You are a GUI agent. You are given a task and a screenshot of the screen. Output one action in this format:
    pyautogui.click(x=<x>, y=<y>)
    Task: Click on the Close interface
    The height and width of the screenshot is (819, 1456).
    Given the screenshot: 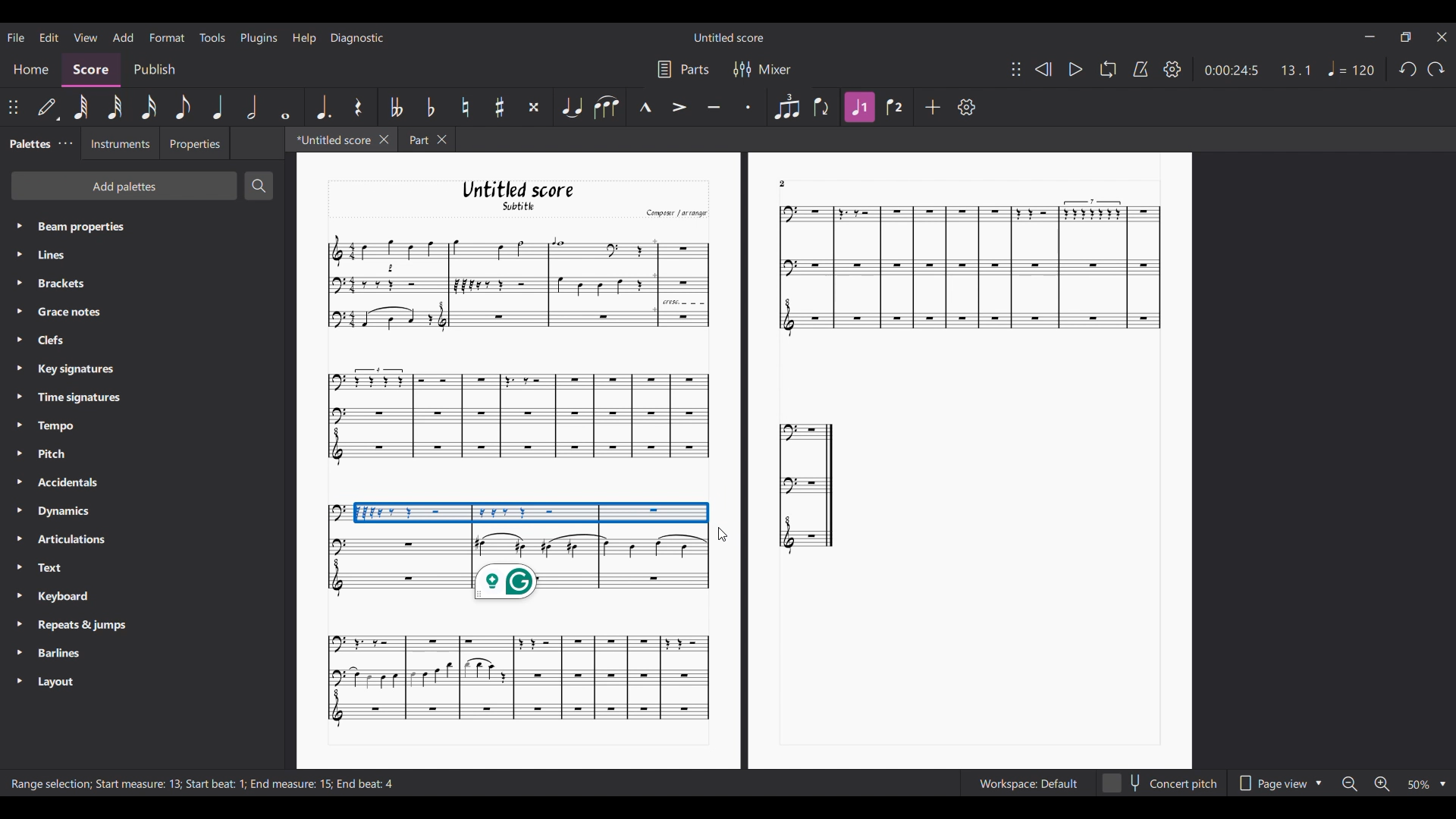 What is the action you would take?
    pyautogui.click(x=1442, y=37)
    